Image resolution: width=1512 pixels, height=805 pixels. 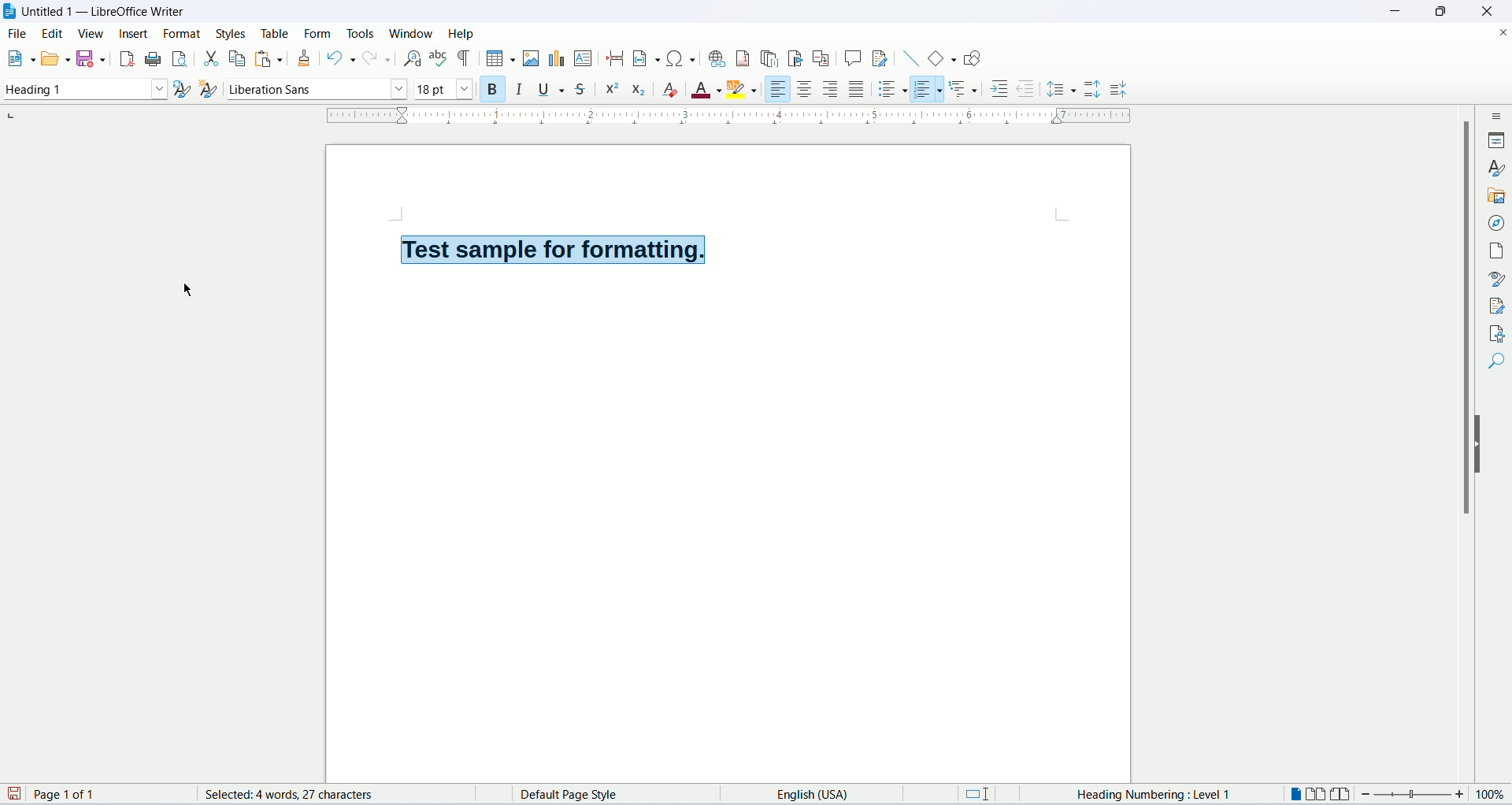 What do you see at coordinates (316, 88) in the screenshot?
I see `font name` at bounding box center [316, 88].